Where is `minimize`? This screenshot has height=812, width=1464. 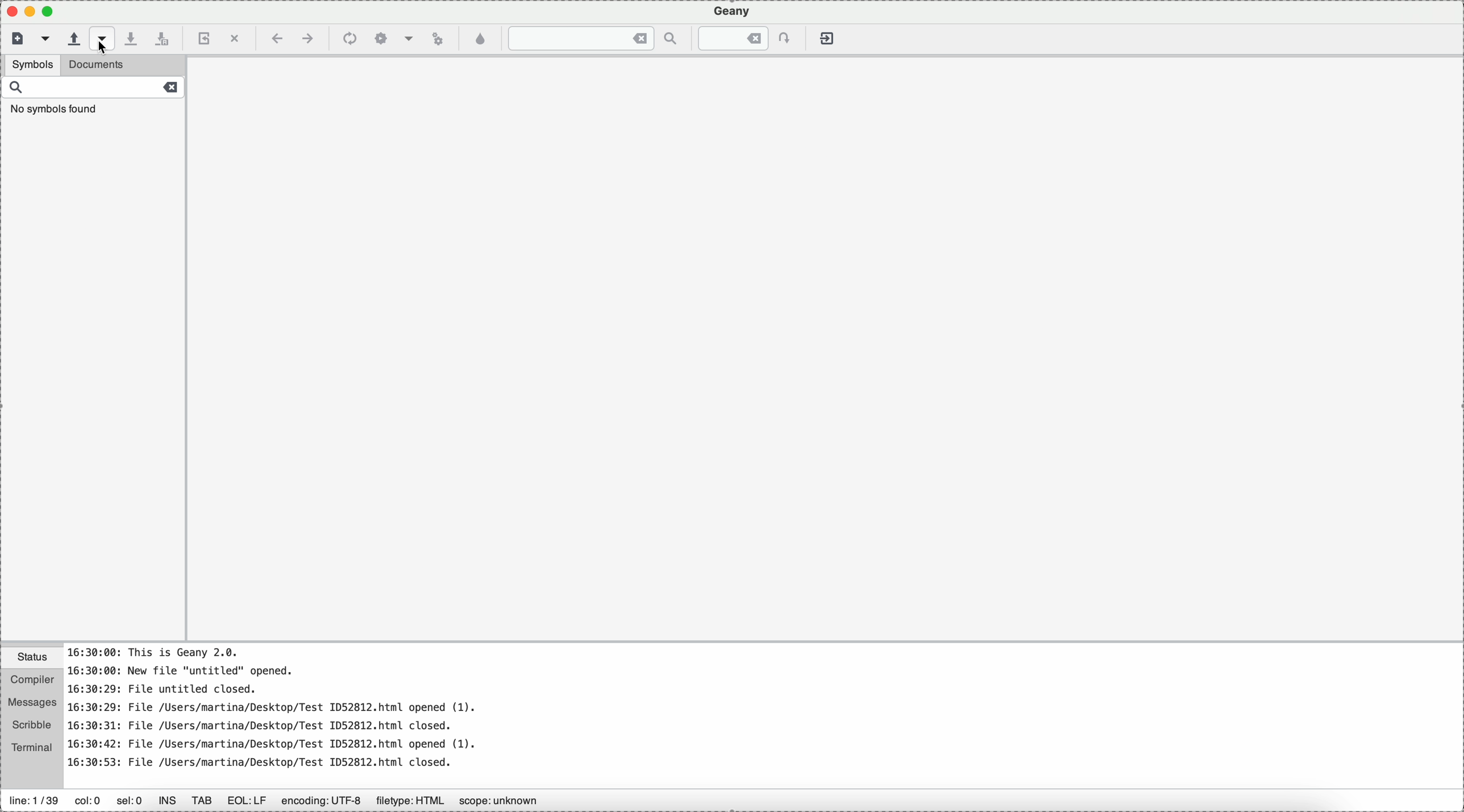 minimize is located at coordinates (53, 12).